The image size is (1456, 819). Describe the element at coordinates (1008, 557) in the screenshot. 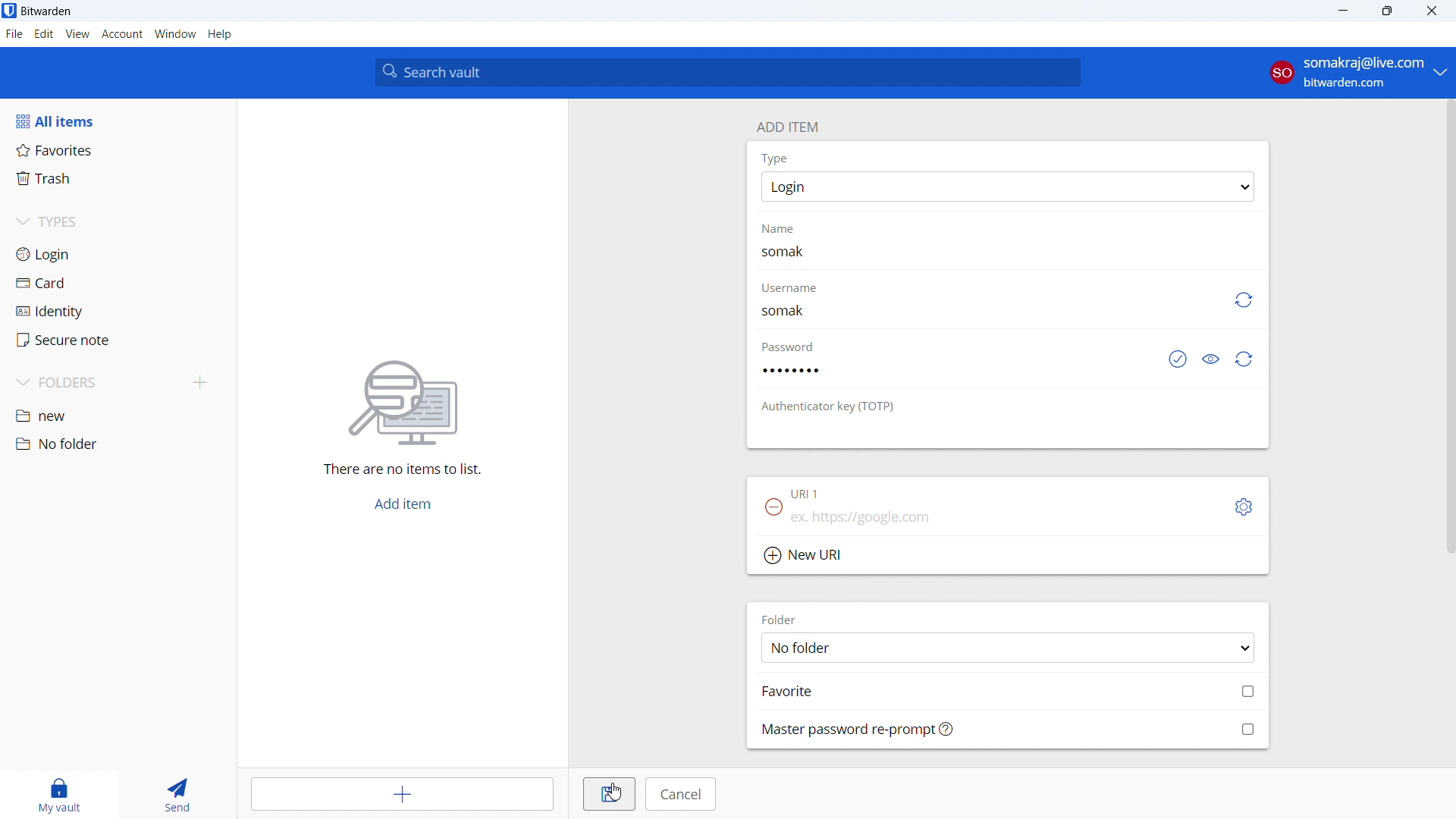

I see `add new url` at that location.